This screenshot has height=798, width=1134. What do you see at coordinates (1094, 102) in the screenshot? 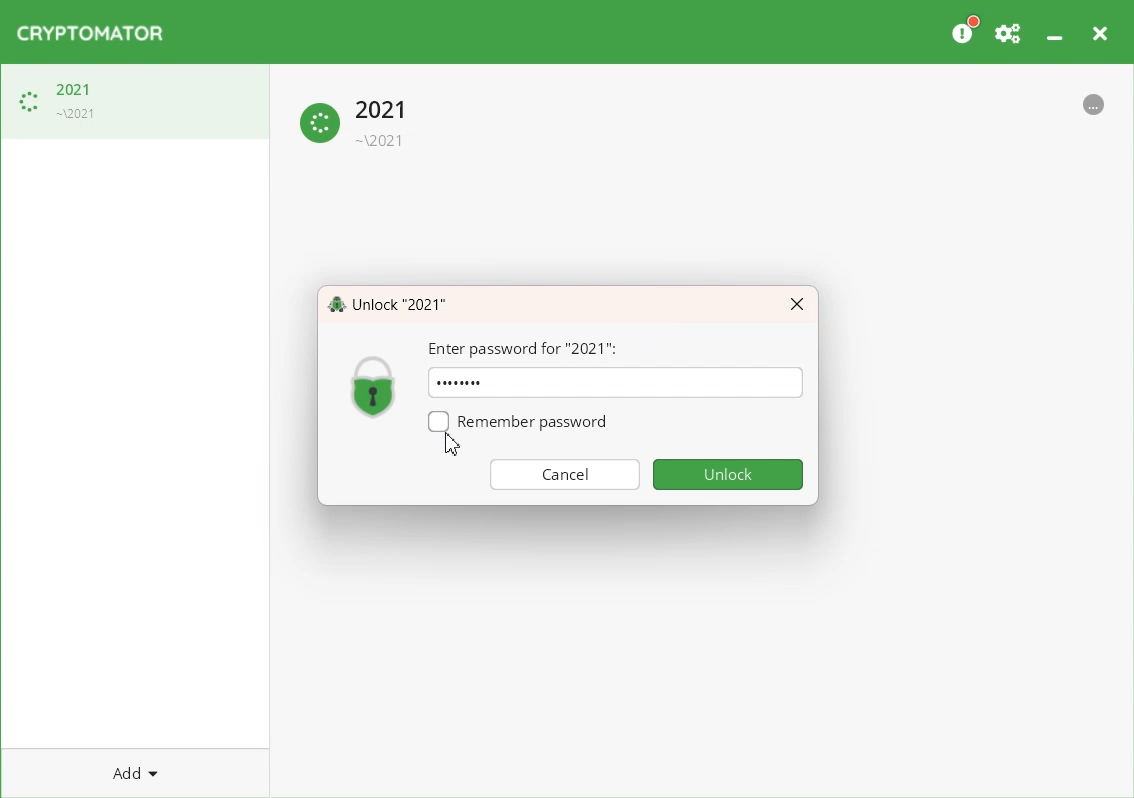
I see `More` at bounding box center [1094, 102].